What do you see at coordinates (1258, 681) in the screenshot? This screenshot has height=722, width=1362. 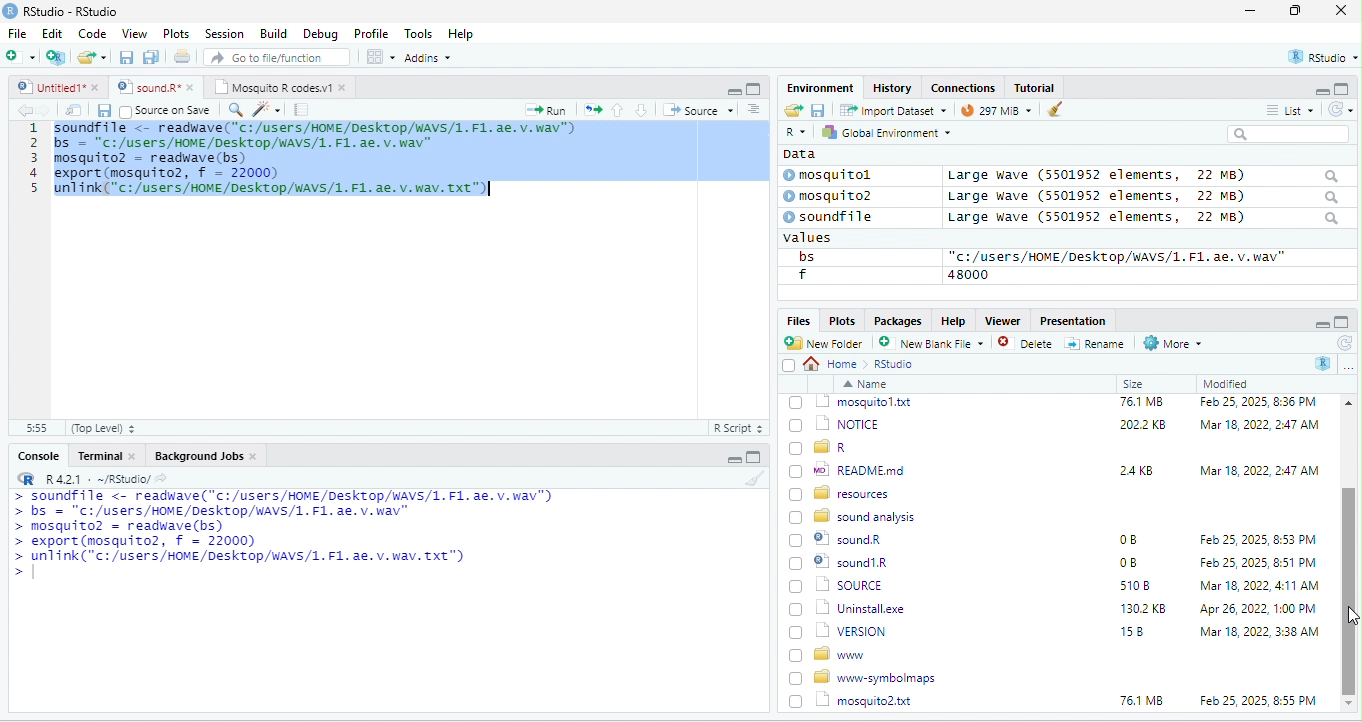 I see `Mar 18, 2022, 4:11 AM` at bounding box center [1258, 681].